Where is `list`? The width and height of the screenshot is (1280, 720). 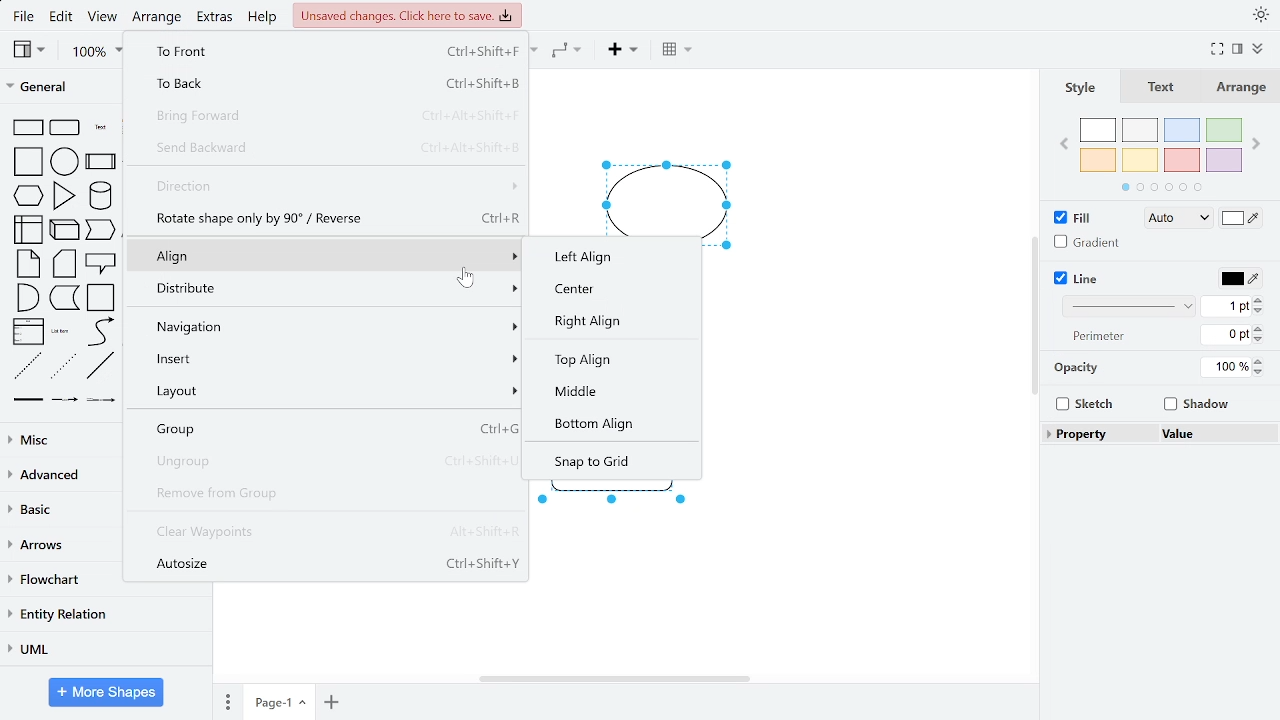 list is located at coordinates (29, 331).